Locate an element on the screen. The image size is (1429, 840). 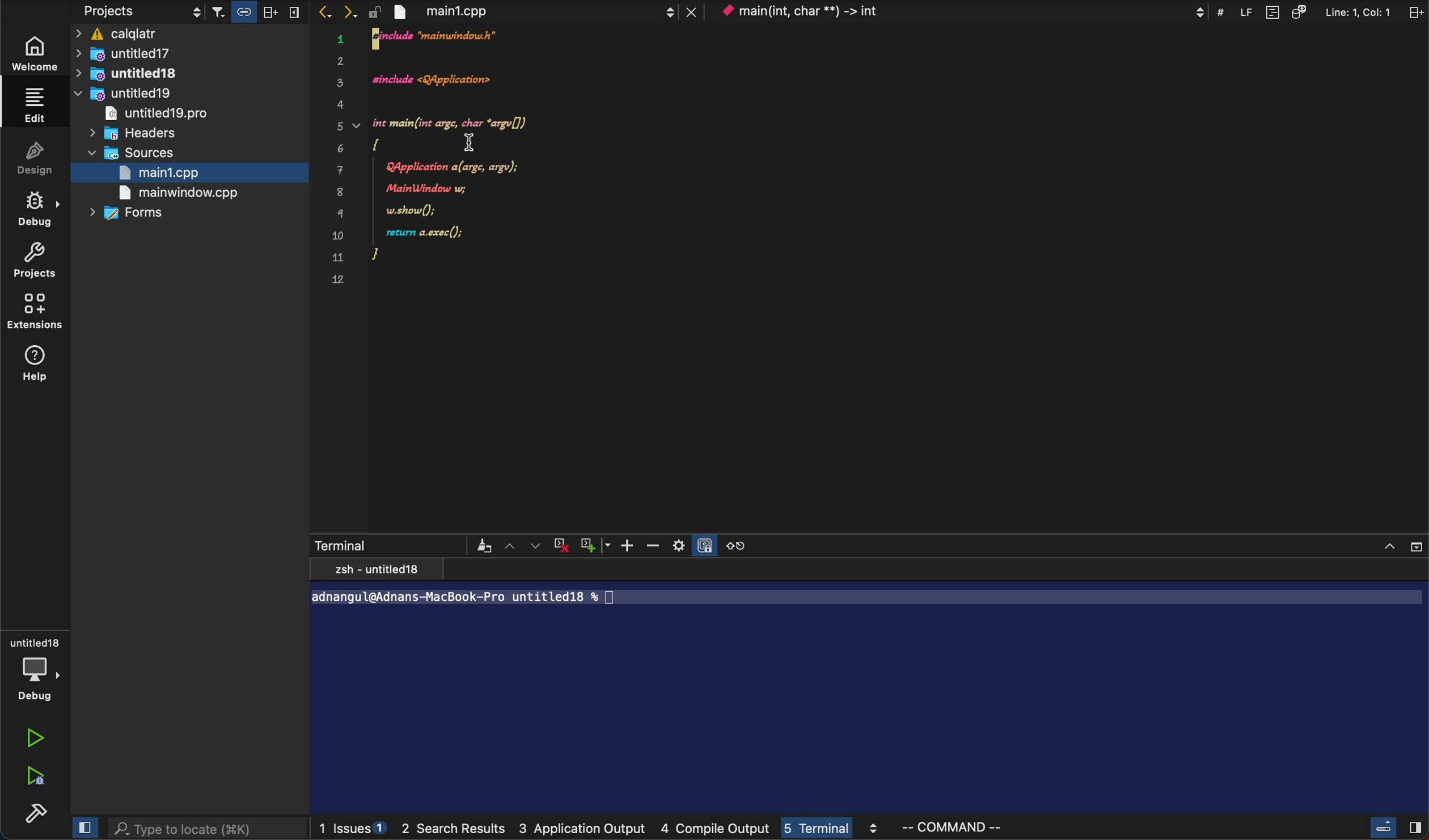
close slidebar is located at coordinates (84, 829).